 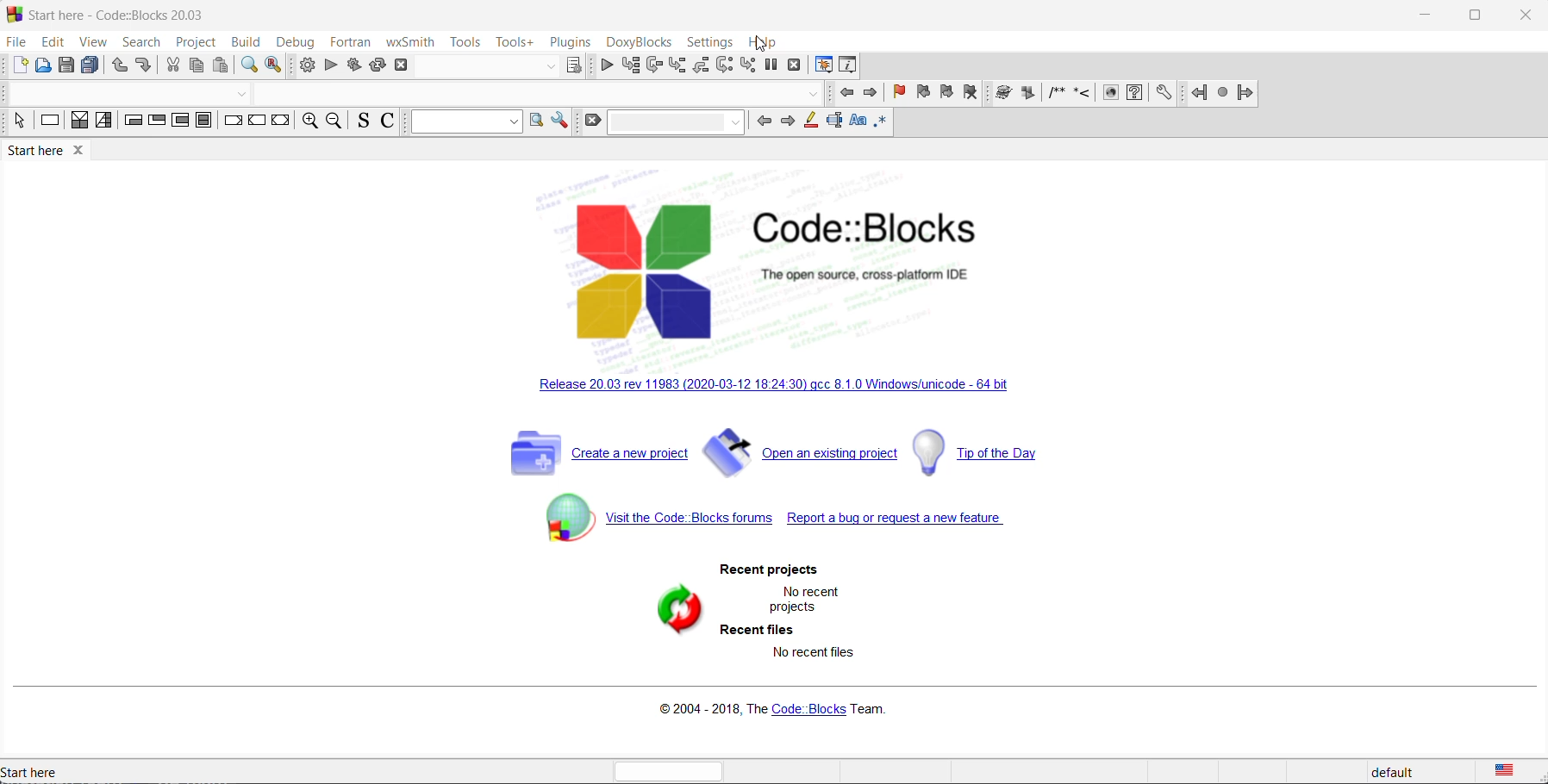 What do you see at coordinates (674, 122) in the screenshot?
I see `dropdown ` at bounding box center [674, 122].